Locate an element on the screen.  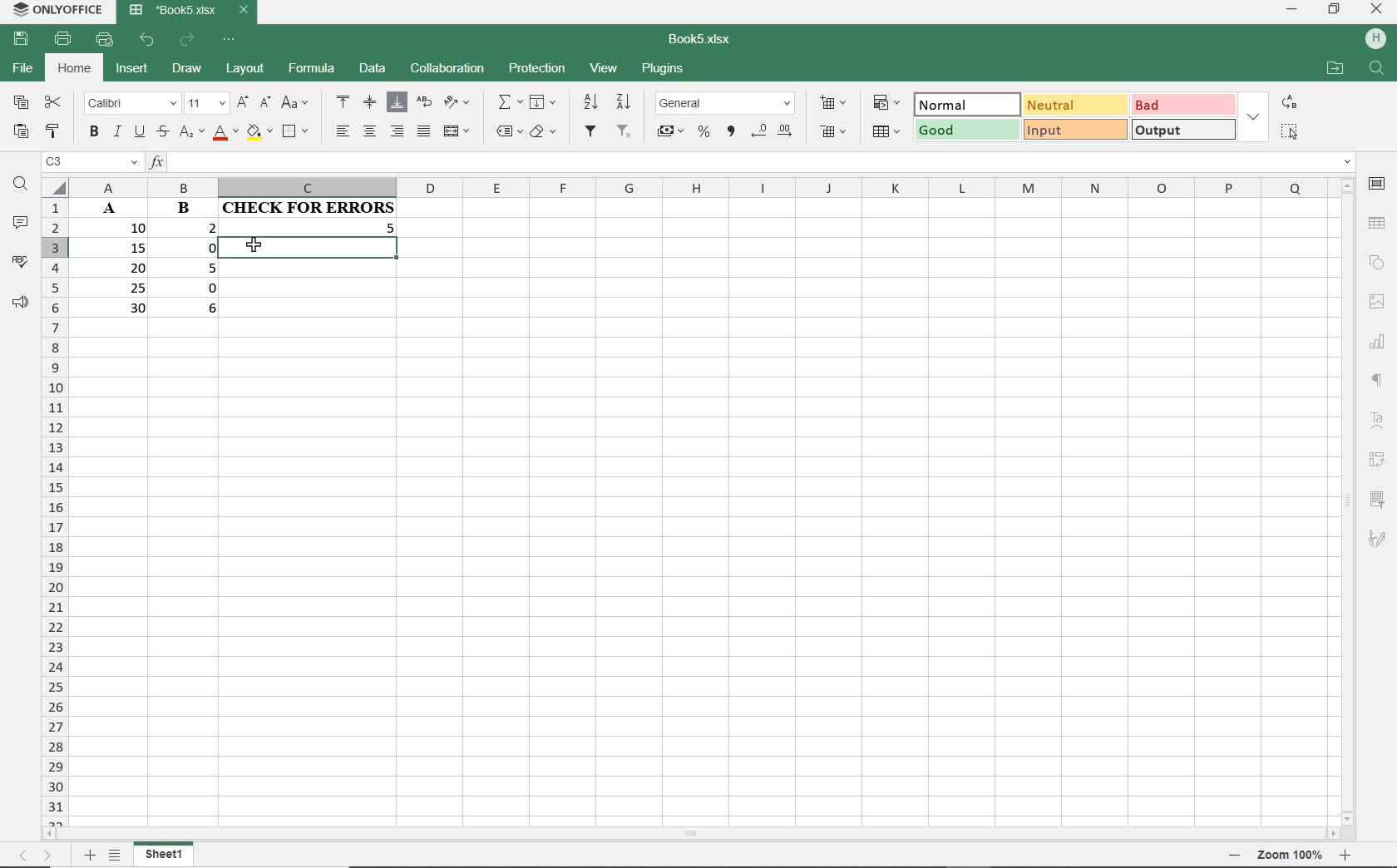
PRINT is located at coordinates (66, 40).